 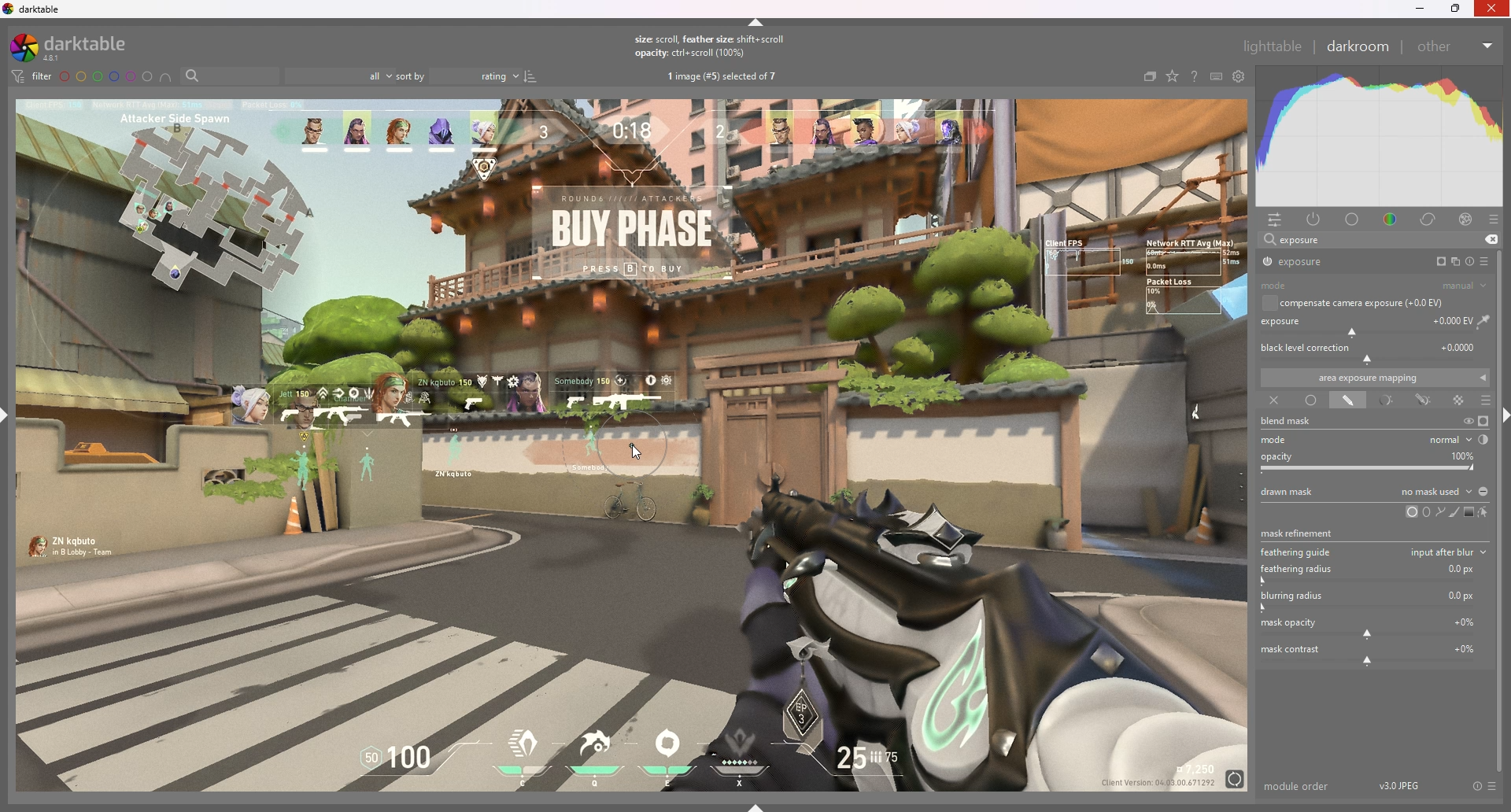 What do you see at coordinates (1450, 512) in the screenshot?
I see `add brush` at bounding box center [1450, 512].